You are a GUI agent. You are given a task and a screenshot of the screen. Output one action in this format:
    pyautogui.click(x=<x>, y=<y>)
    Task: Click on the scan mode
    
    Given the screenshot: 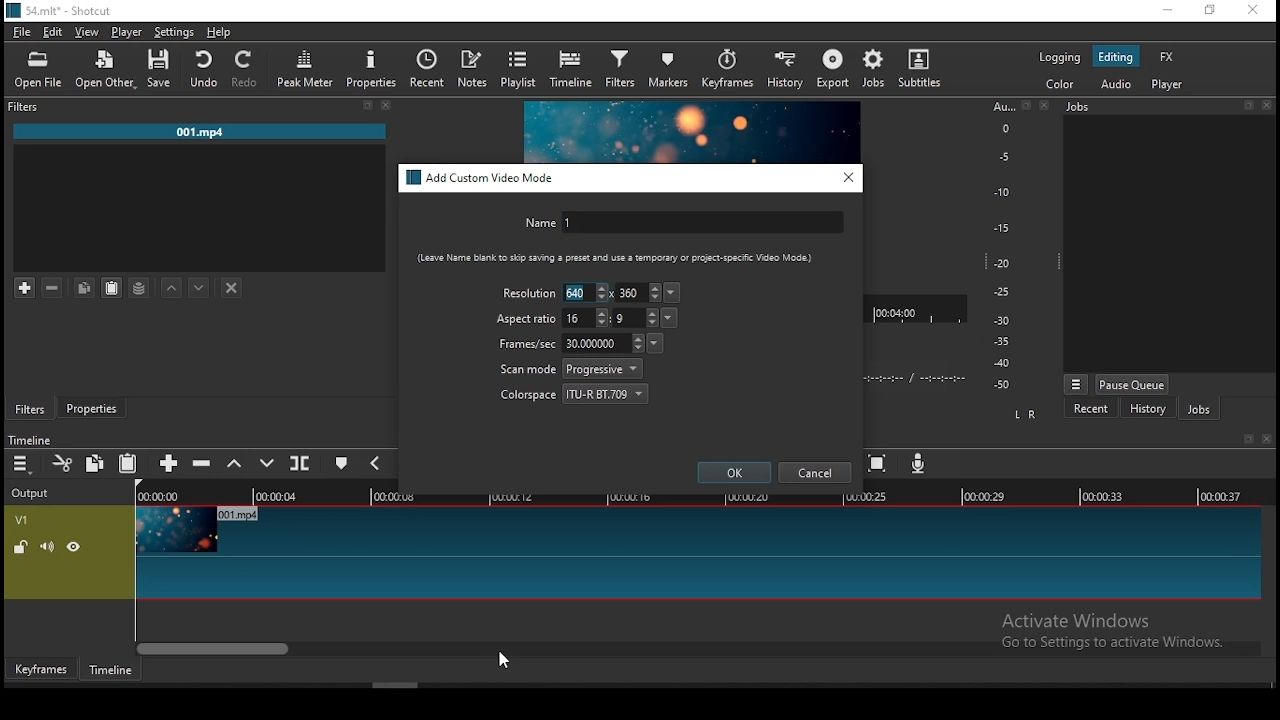 What is the action you would take?
    pyautogui.click(x=571, y=369)
    